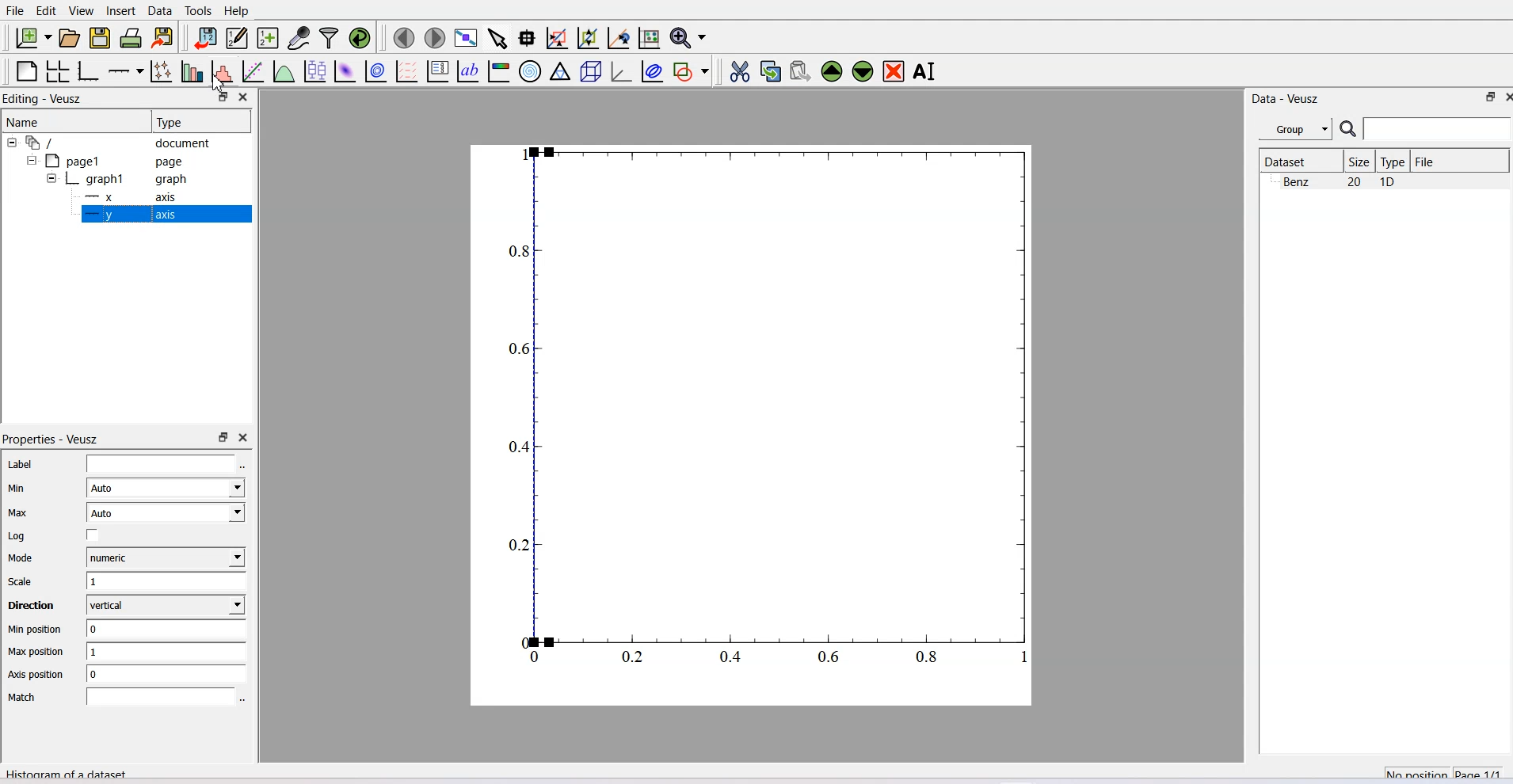 The height and width of the screenshot is (784, 1513). Describe the element at coordinates (437, 71) in the screenshot. I see `Plot key` at that location.